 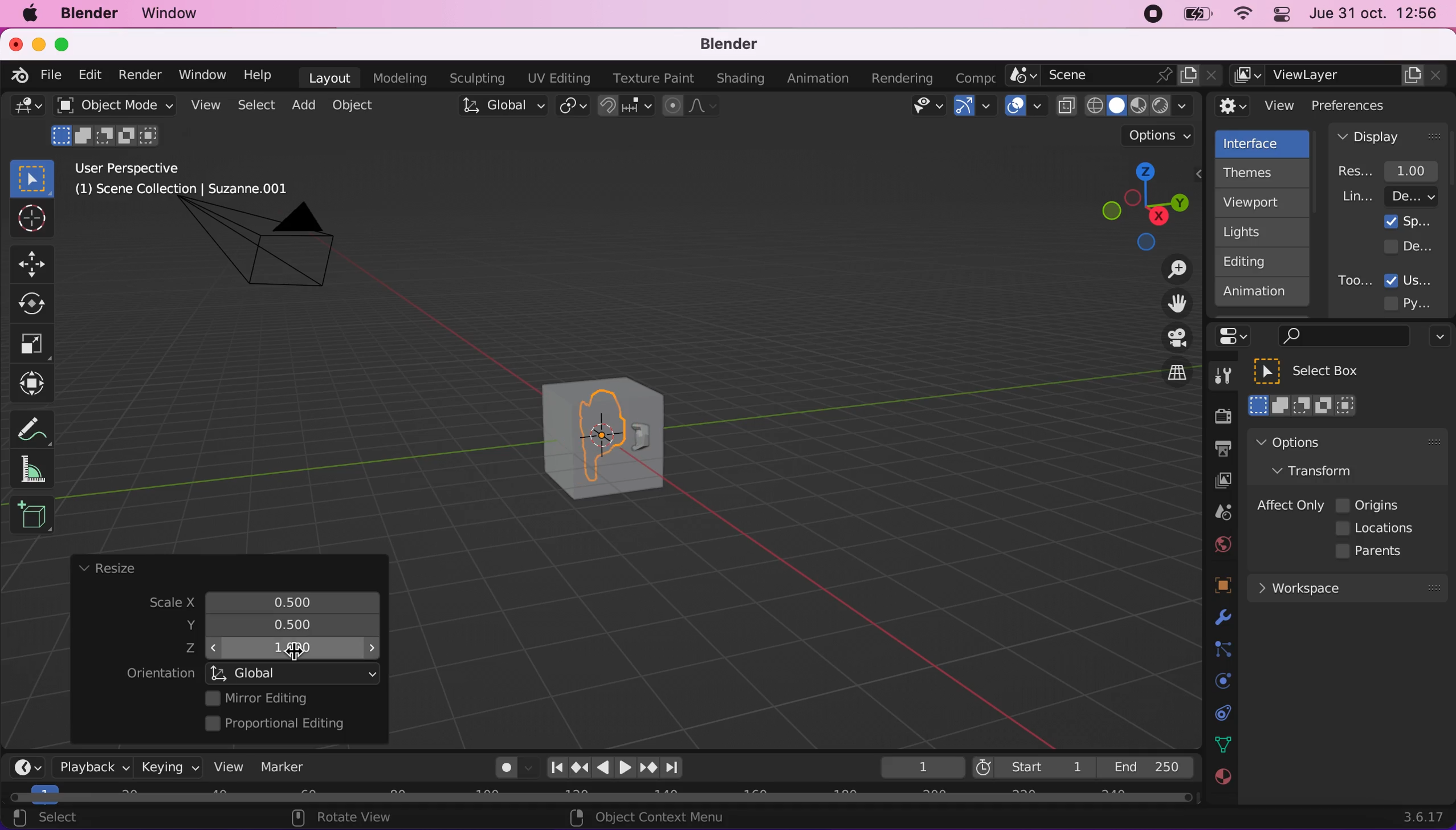 I want to click on zoom in/out the view, so click(x=1171, y=269).